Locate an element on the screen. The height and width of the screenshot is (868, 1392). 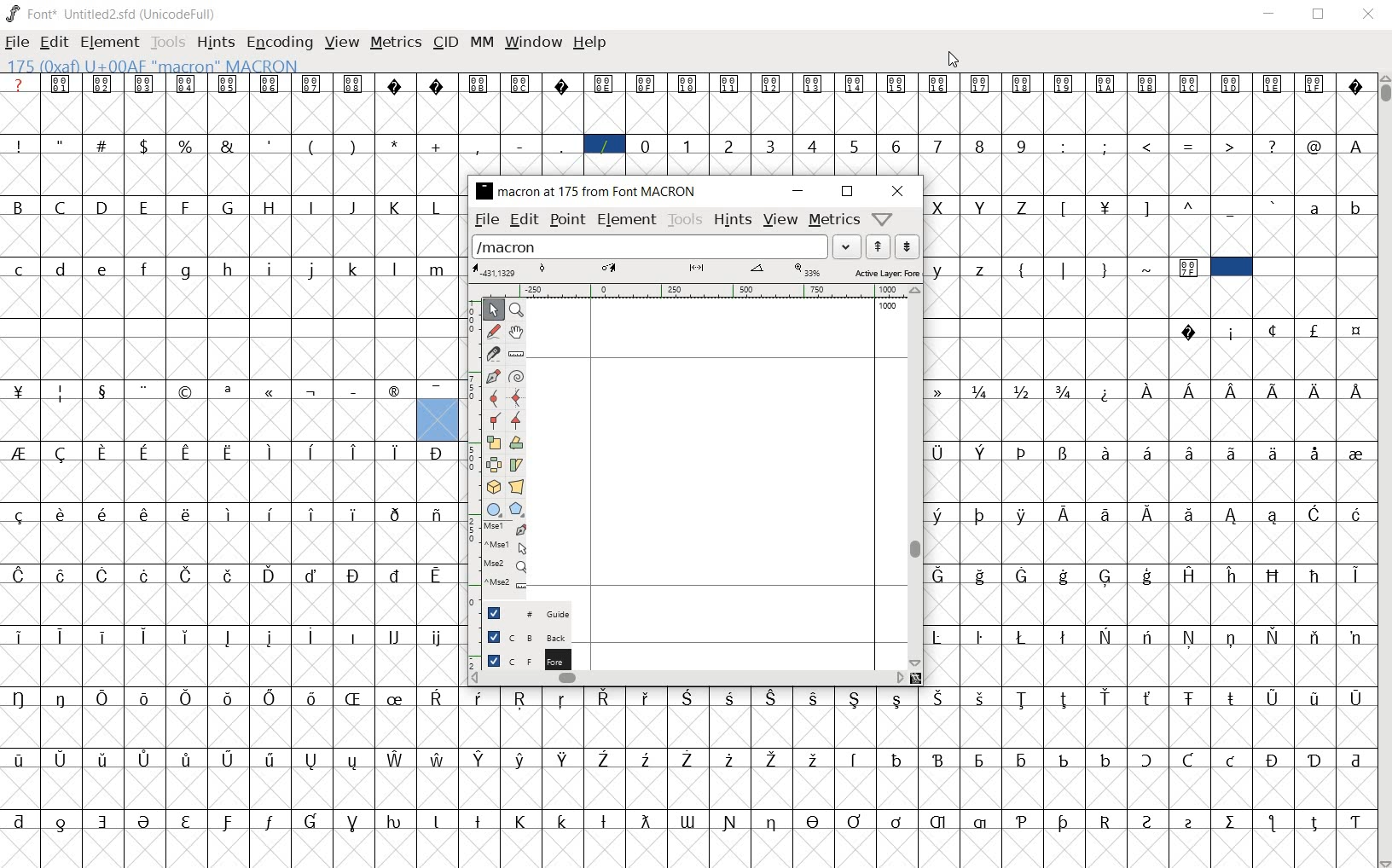
Symbol is located at coordinates (896, 697).